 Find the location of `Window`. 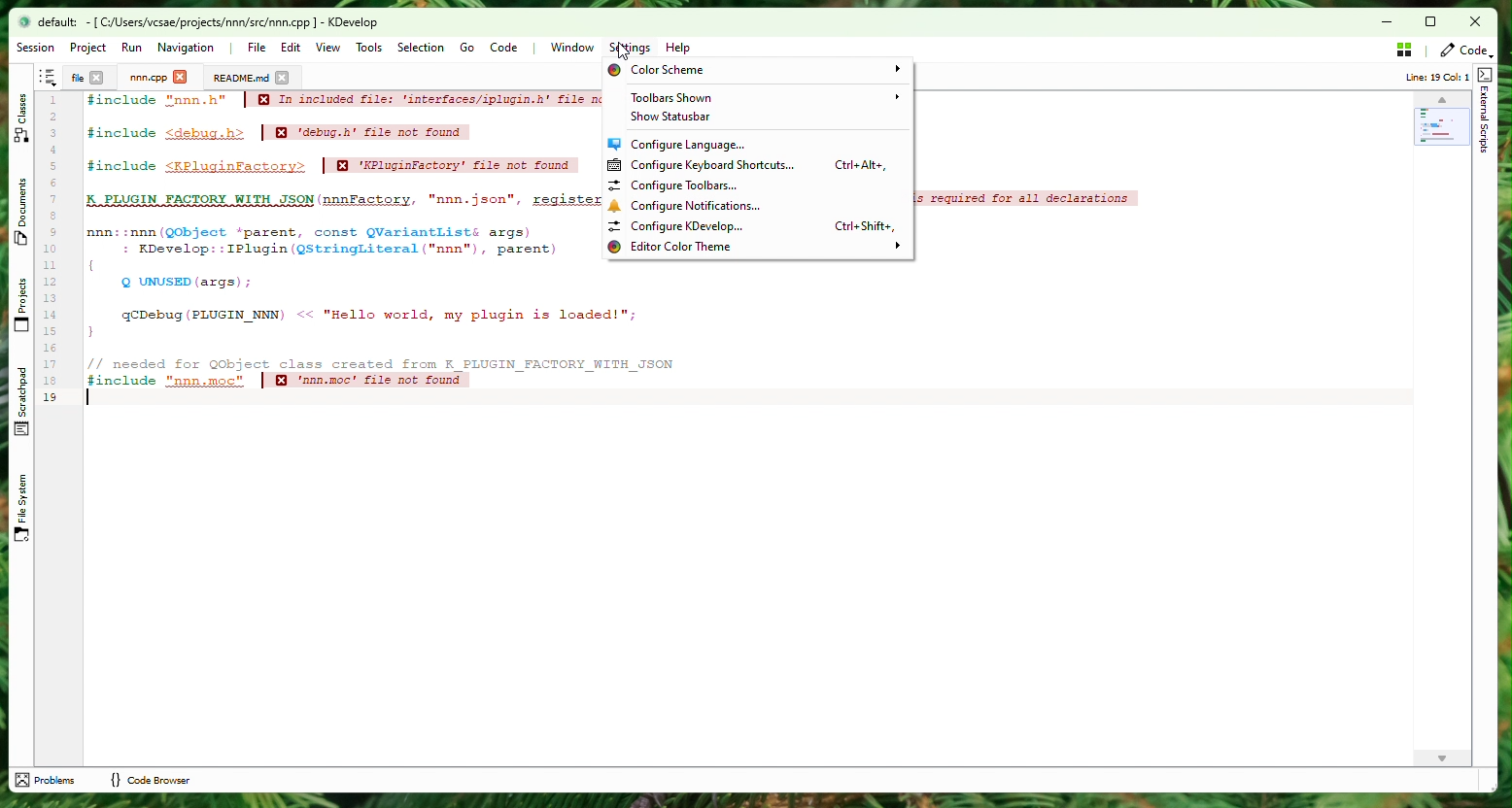

Window is located at coordinates (567, 48).